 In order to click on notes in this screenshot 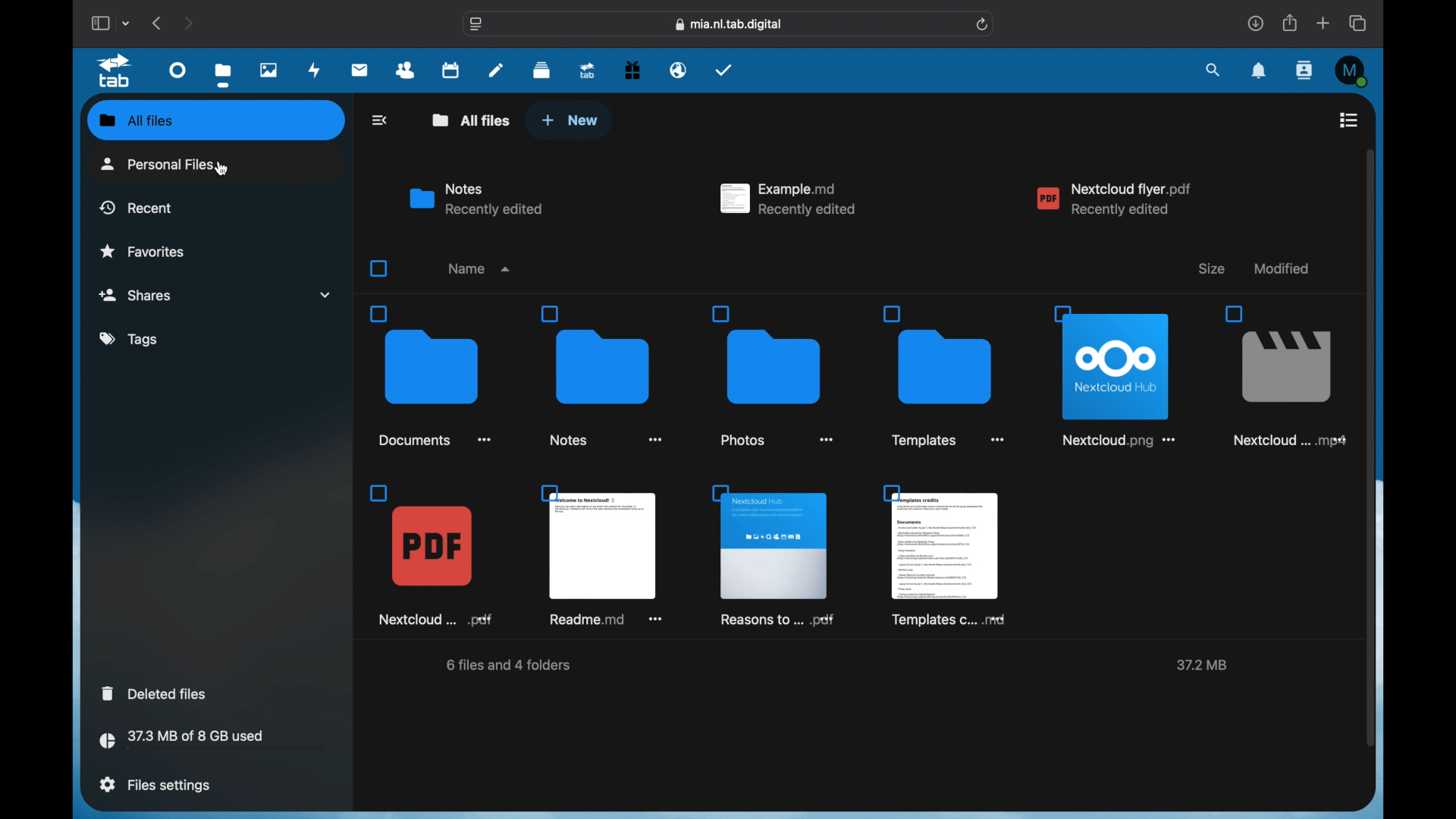, I will do `click(476, 199)`.